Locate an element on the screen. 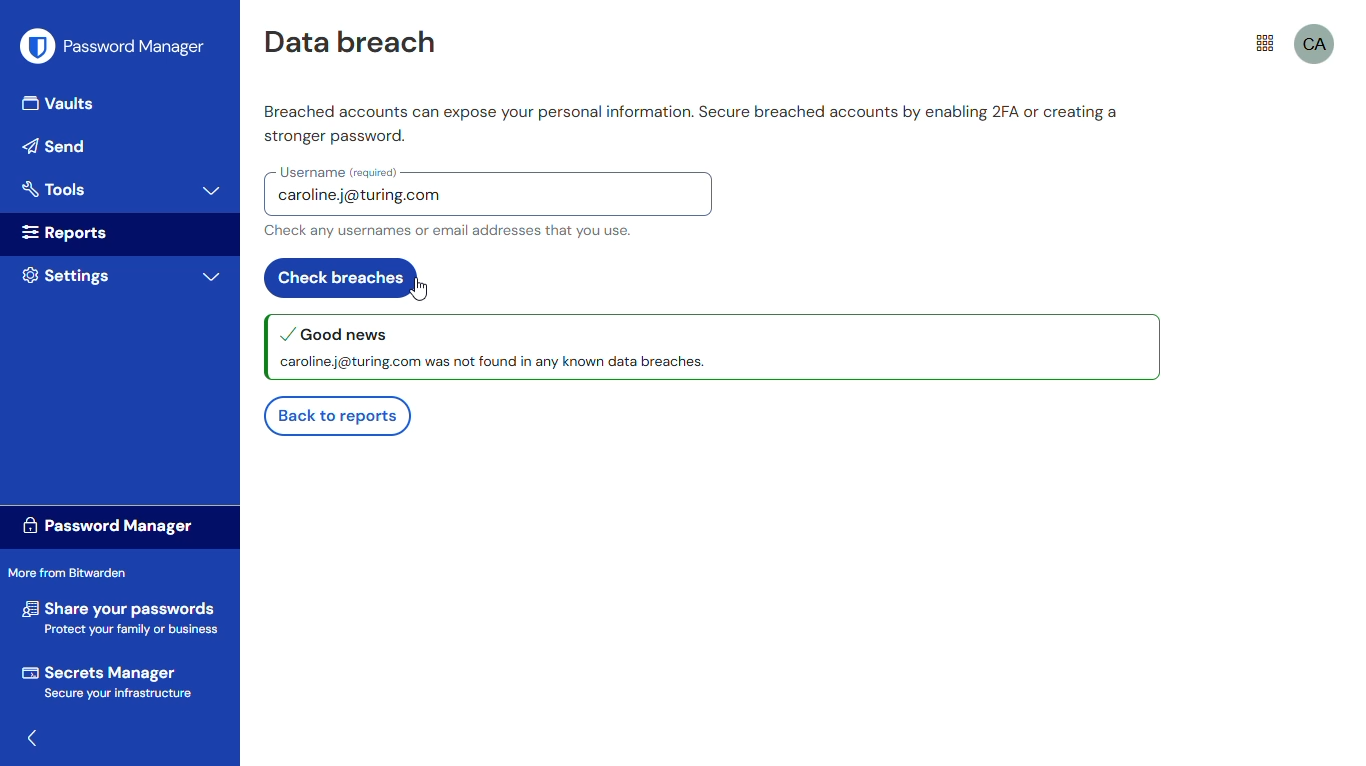 Image resolution: width=1366 pixels, height=766 pixels. share your passwords protect your family or business is located at coordinates (121, 614).